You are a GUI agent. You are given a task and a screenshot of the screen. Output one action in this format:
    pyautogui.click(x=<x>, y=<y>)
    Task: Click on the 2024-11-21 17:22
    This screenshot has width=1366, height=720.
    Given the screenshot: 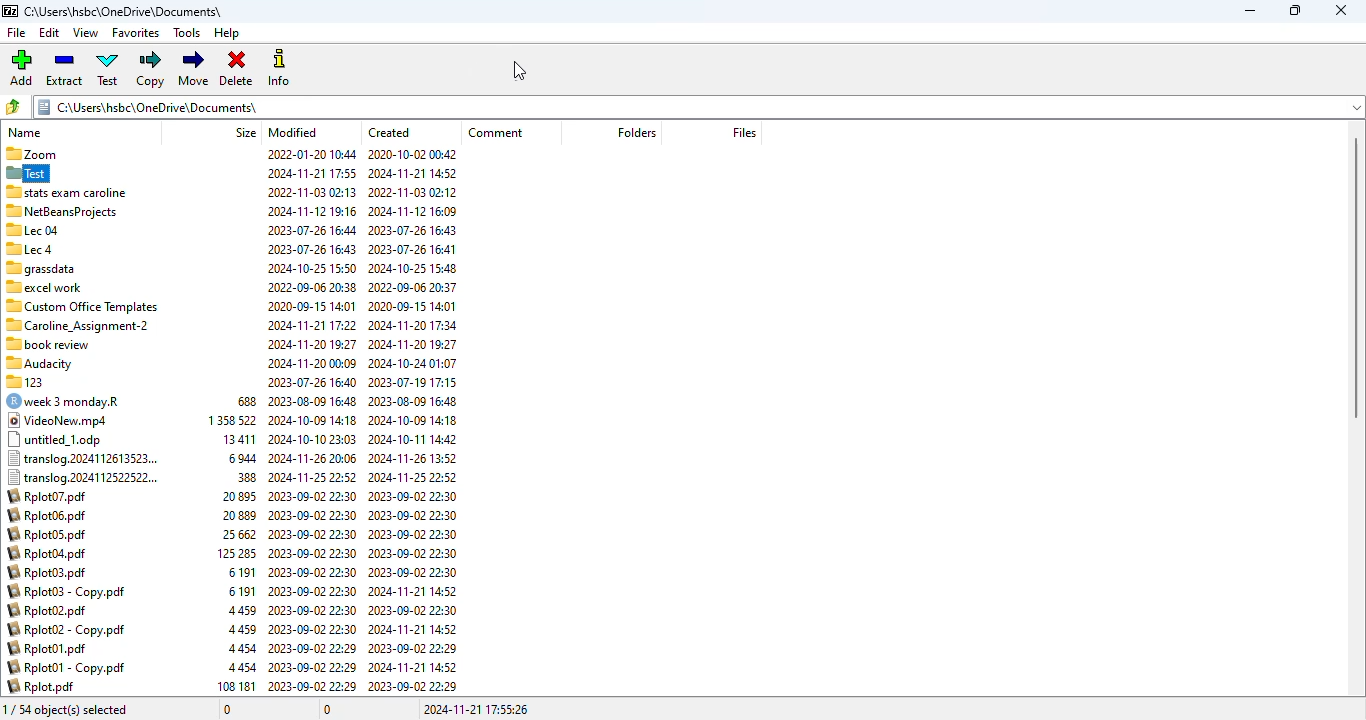 What is the action you would take?
    pyautogui.click(x=313, y=326)
    